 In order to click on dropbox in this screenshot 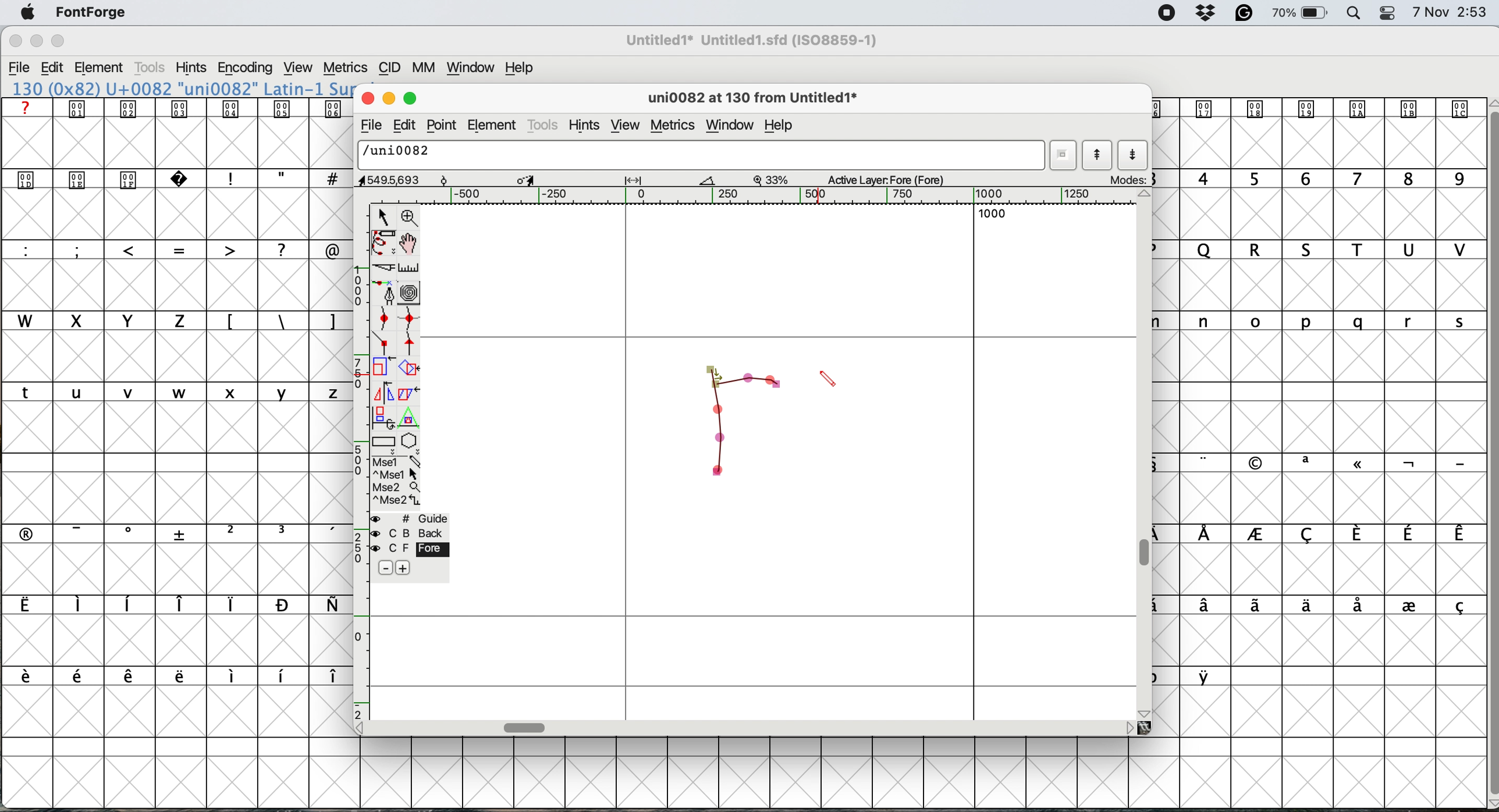, I will do `click(1208, 13)`.